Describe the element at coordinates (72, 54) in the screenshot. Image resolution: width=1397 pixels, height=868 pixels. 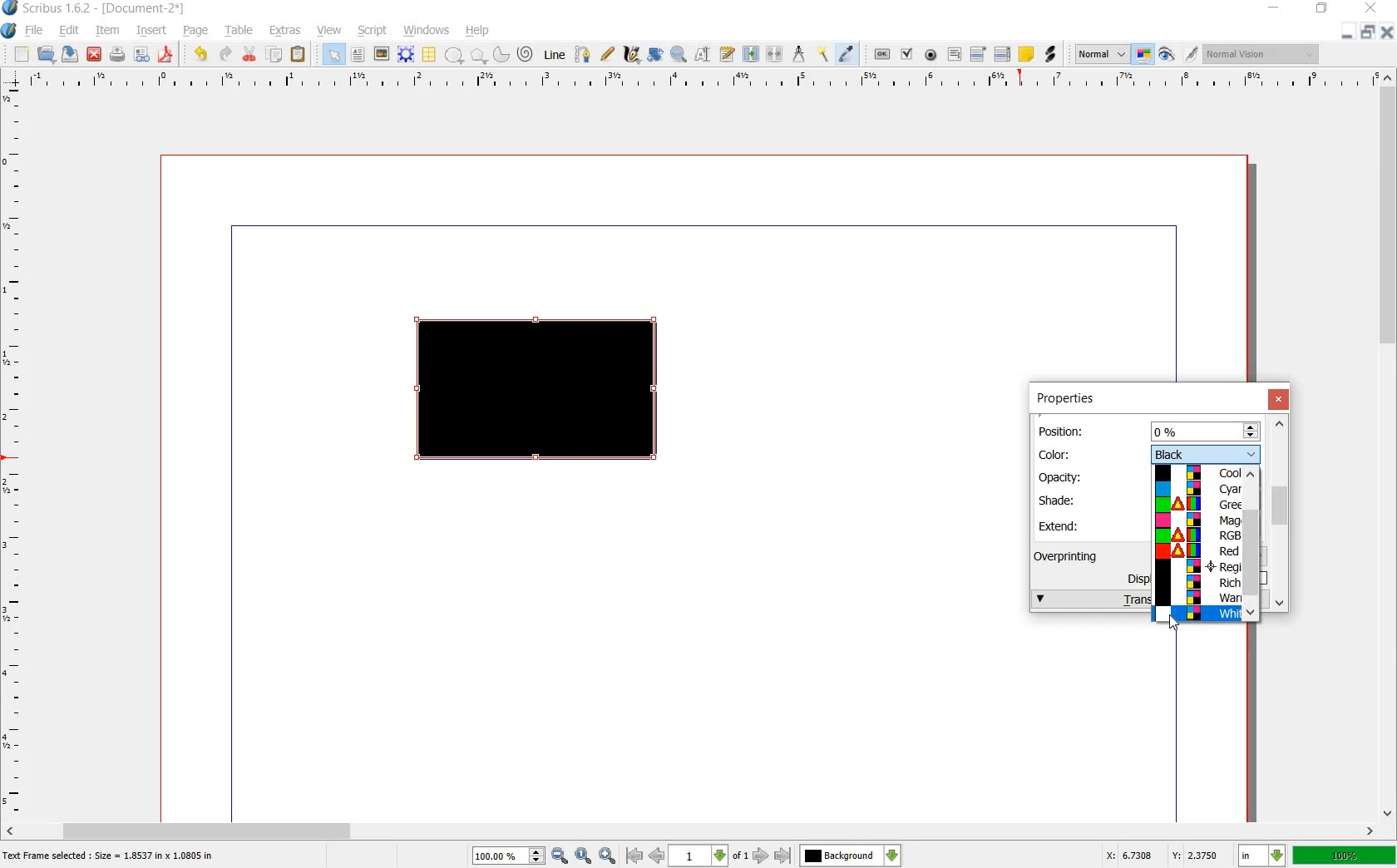
I see `save` at that location.